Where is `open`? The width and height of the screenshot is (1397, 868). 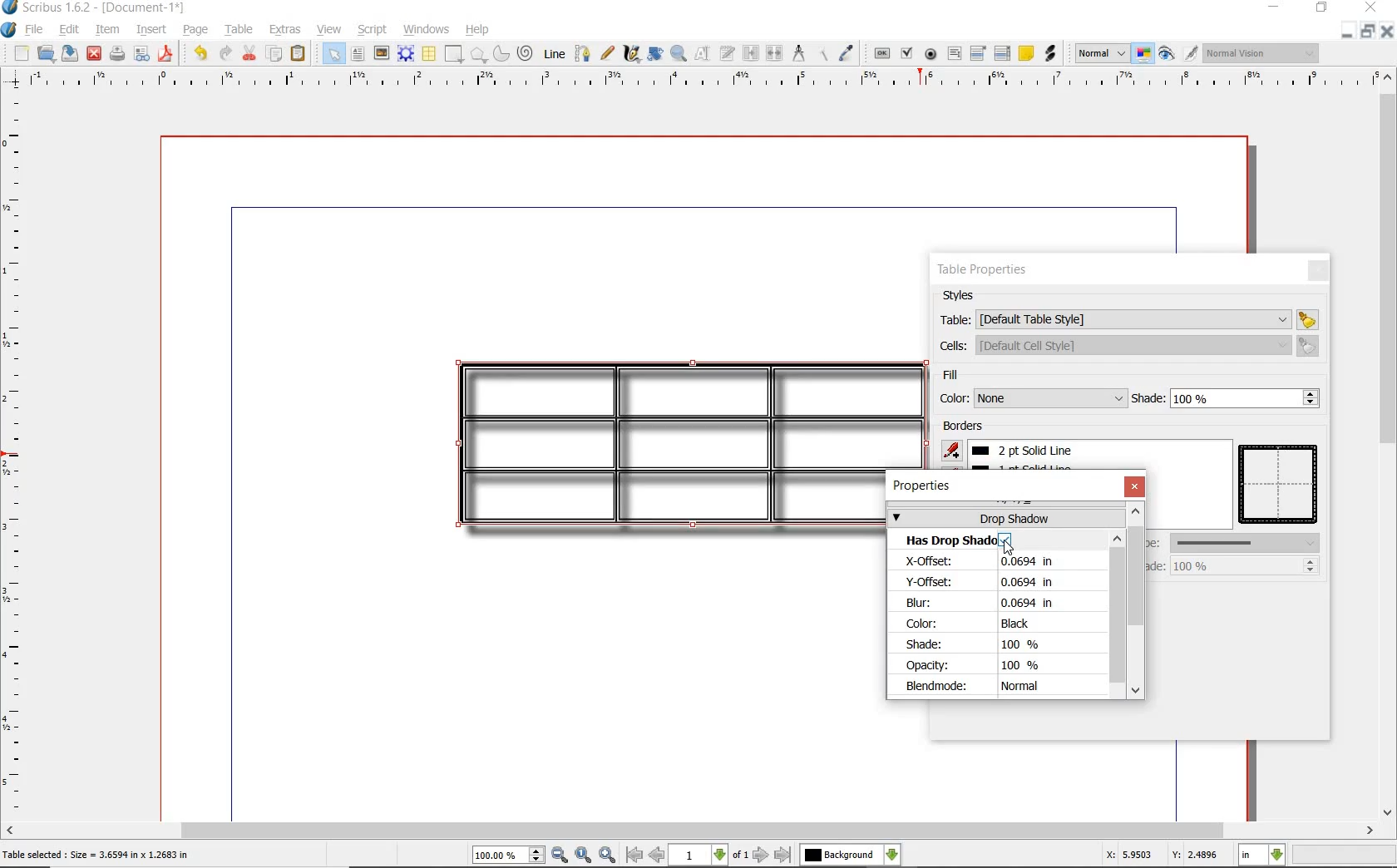 open is located at coordinates (44, 52).